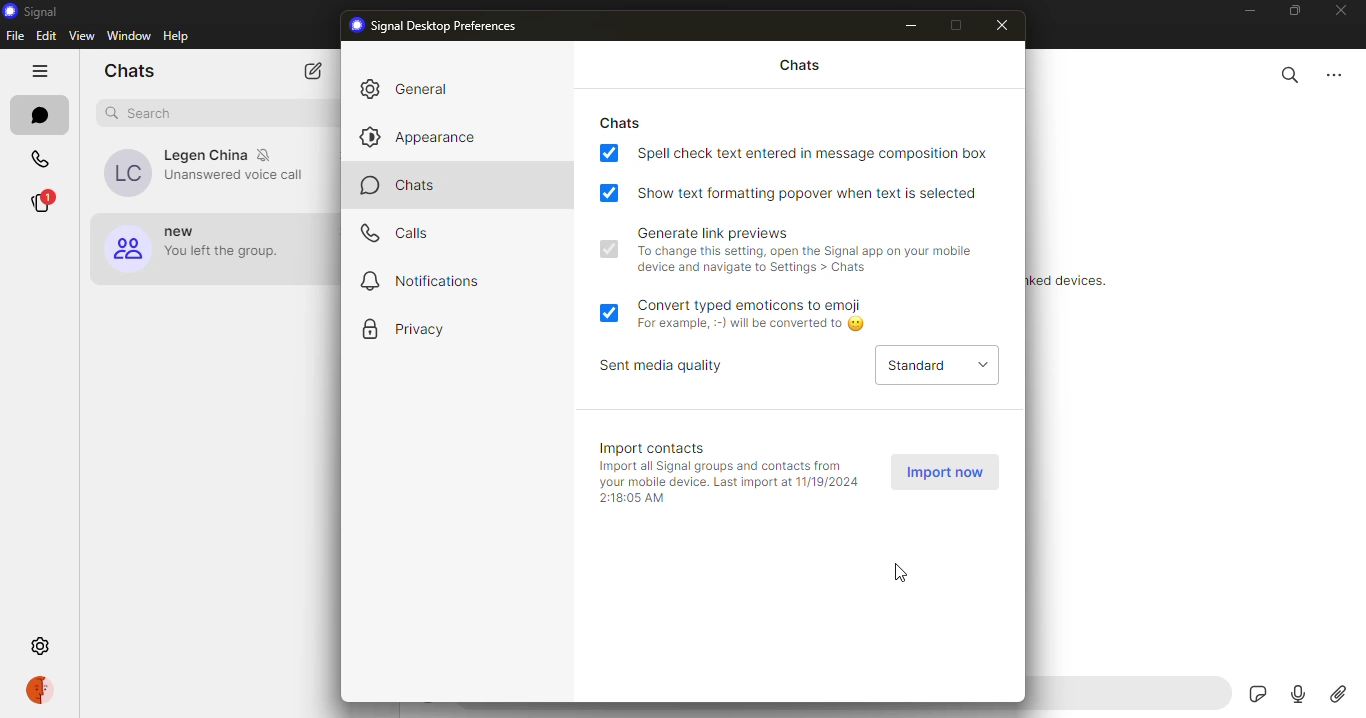  What do you see at coordinates (984, 364) in the screenshot?
I see `select` at bounding box center [984, 364].